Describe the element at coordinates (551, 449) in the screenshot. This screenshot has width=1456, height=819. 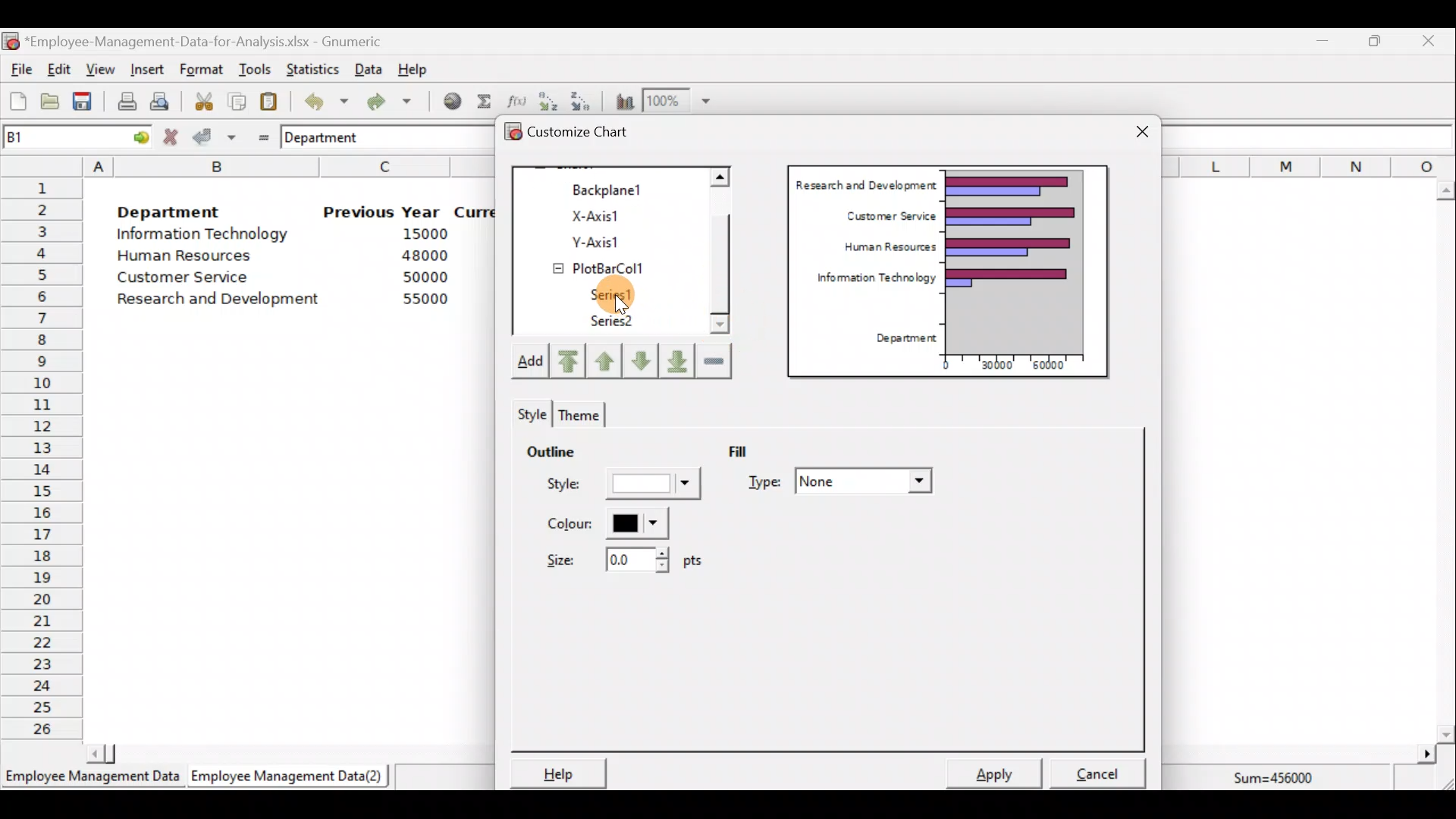
I see `Outline` at that location.